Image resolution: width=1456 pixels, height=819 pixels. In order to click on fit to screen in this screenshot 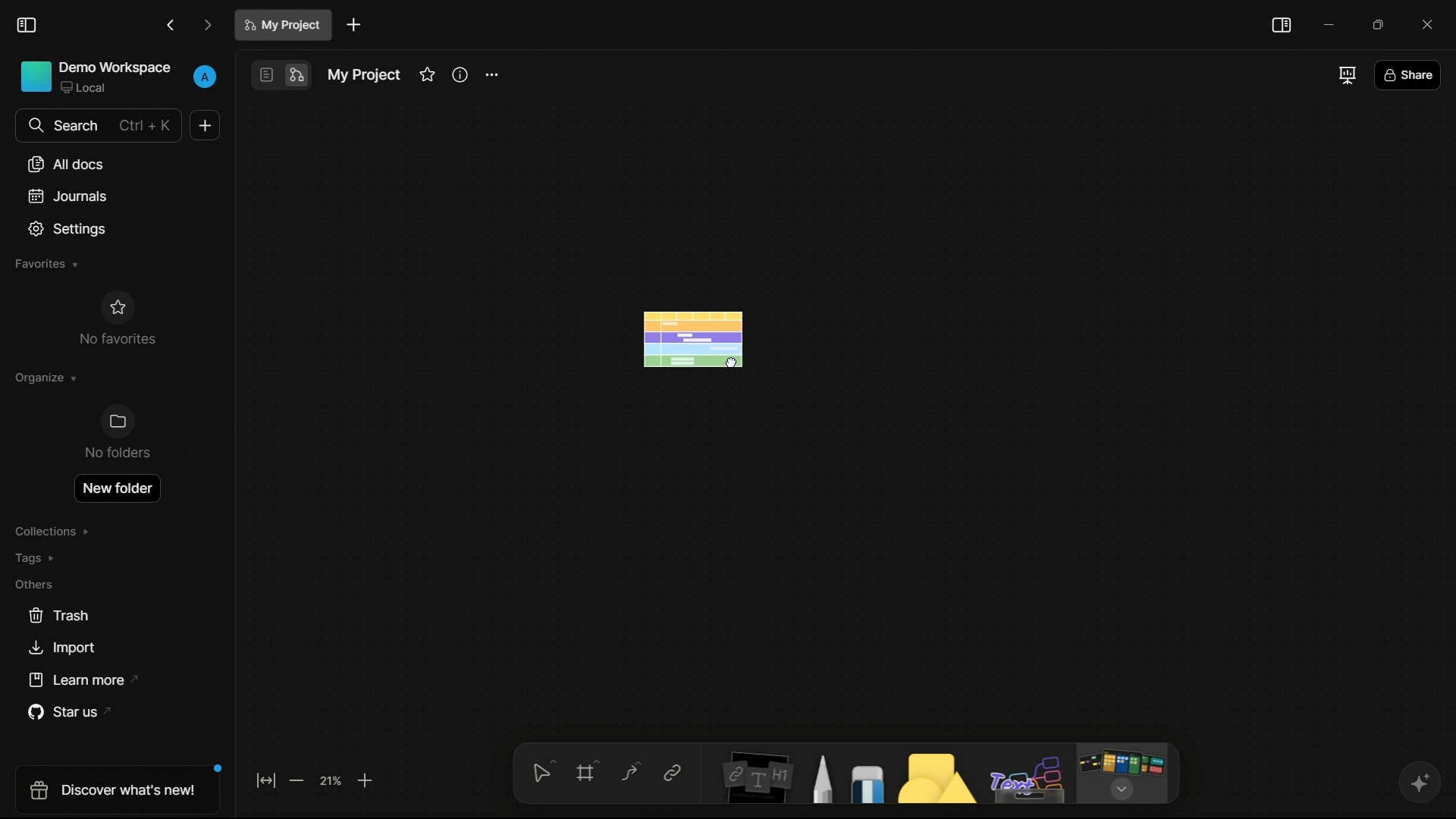, I will do `click(265, 783)`.